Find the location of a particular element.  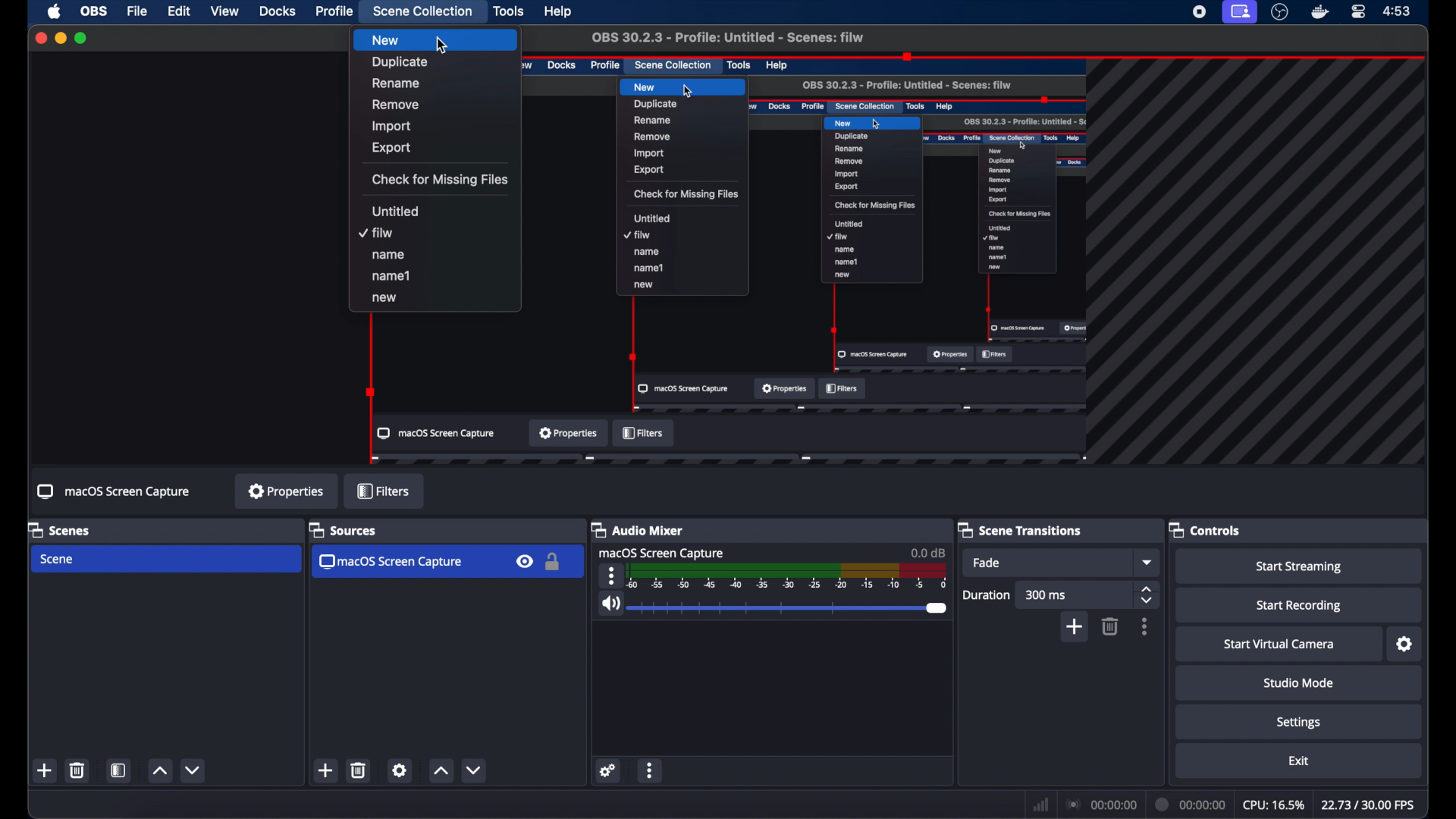

scene is located at coordinates (61, 560).